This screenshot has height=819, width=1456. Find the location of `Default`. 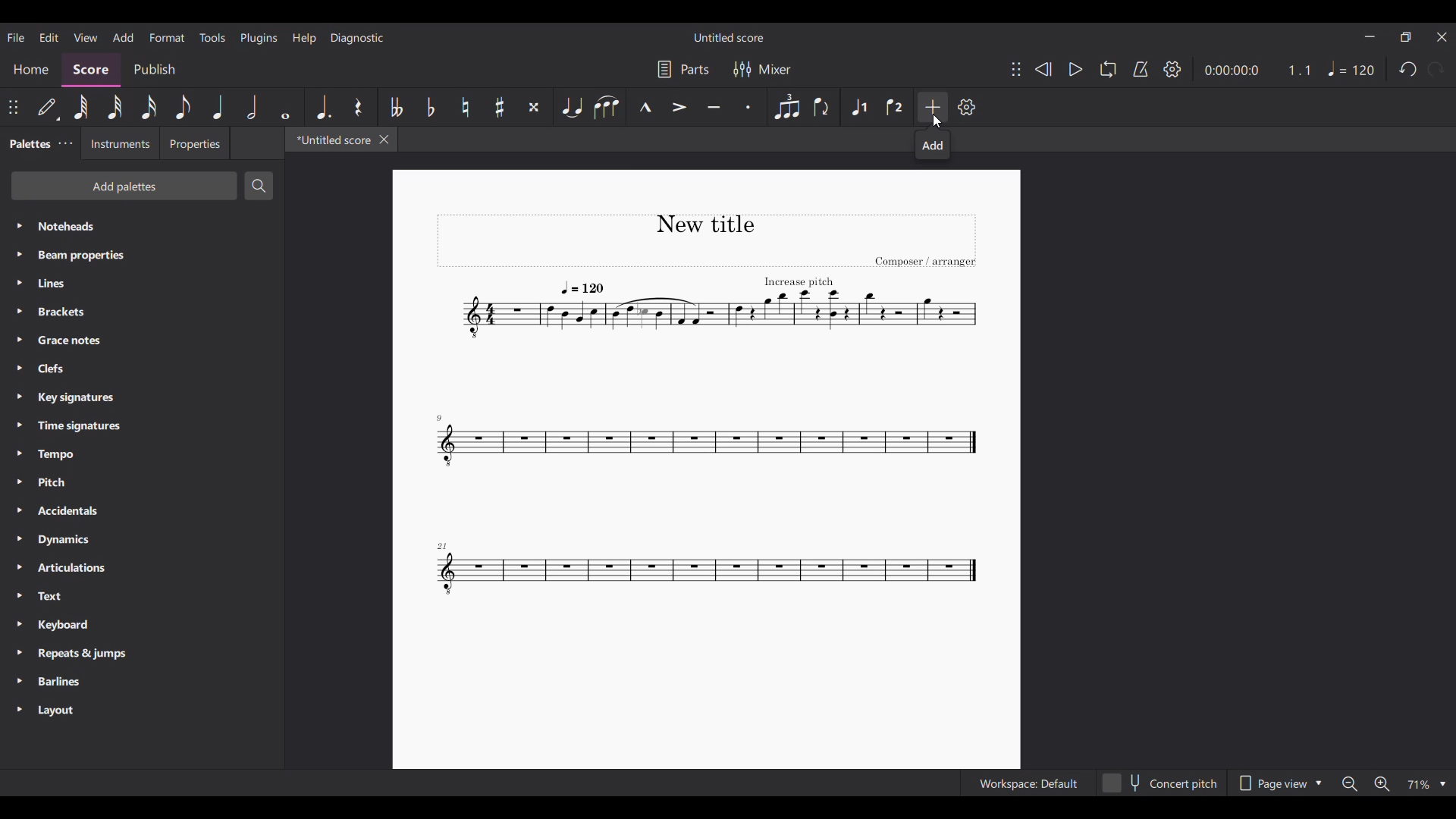

Default is located at coordinates (47, 107).